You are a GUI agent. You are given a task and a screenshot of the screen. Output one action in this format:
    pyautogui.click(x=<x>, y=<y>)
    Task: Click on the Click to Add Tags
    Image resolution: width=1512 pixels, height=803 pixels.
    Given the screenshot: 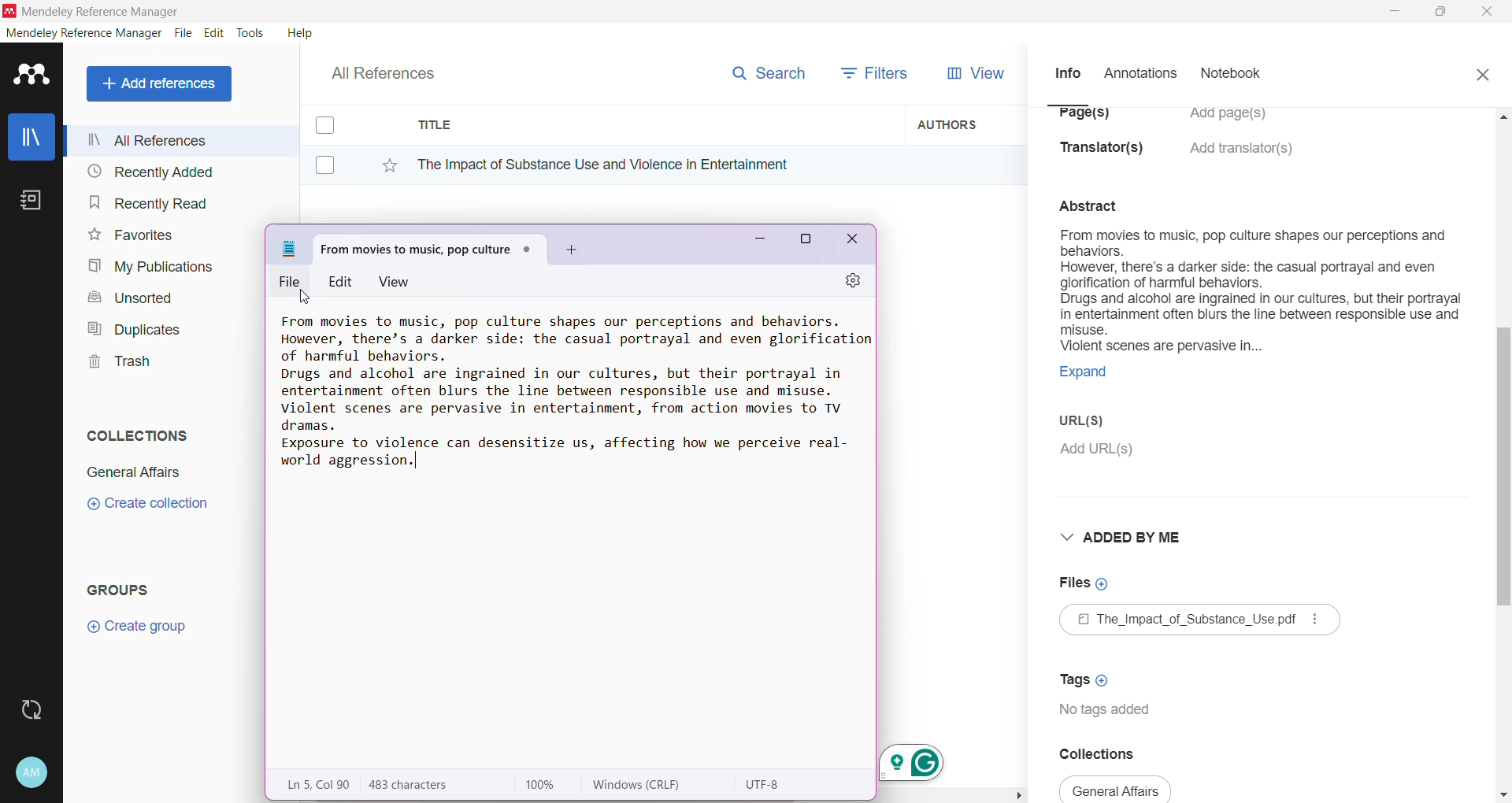 What is the action you would take?
    pyautogui.click(x=1088, y=675)
    